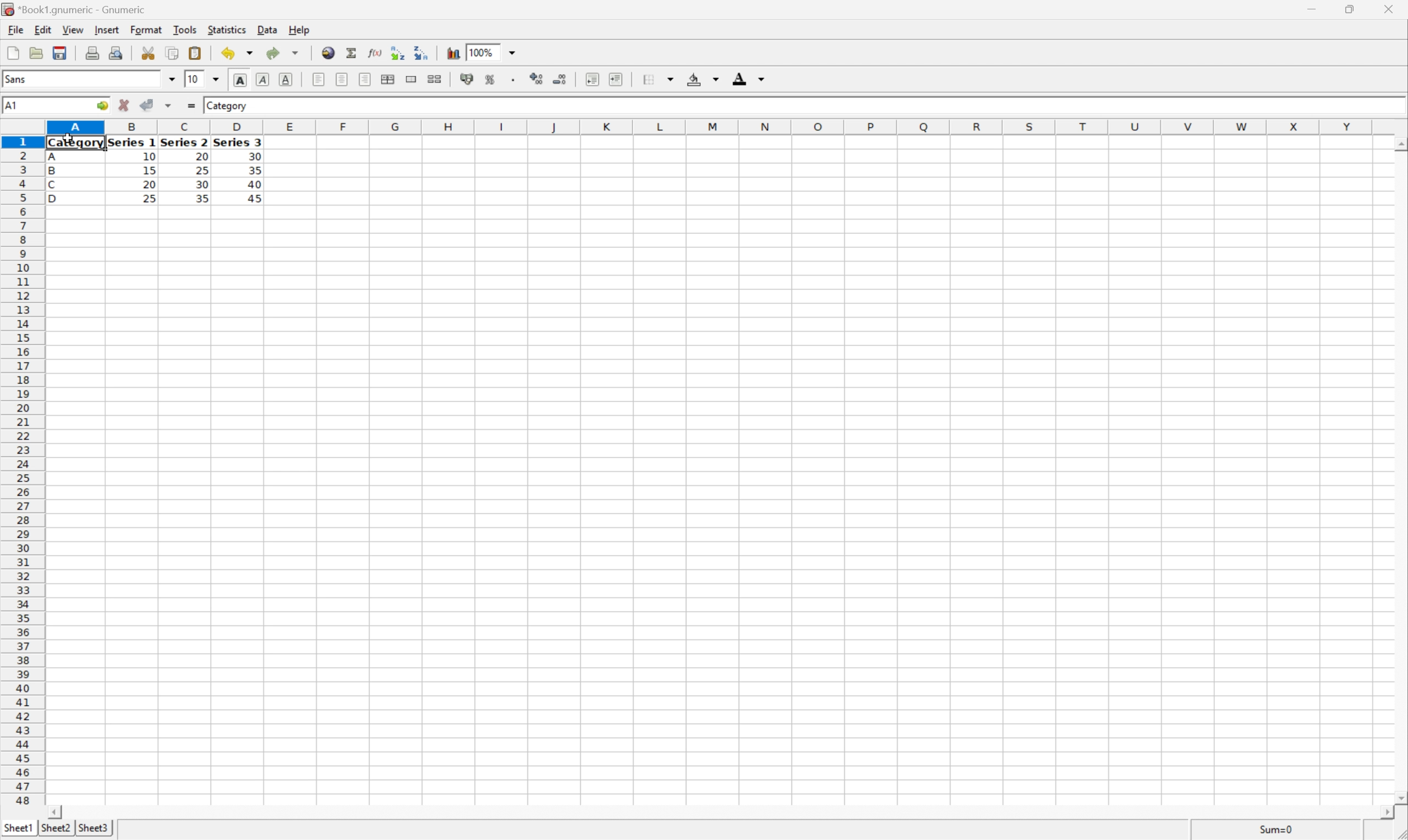  I want to click on Scroll Left, so click(57, 812).